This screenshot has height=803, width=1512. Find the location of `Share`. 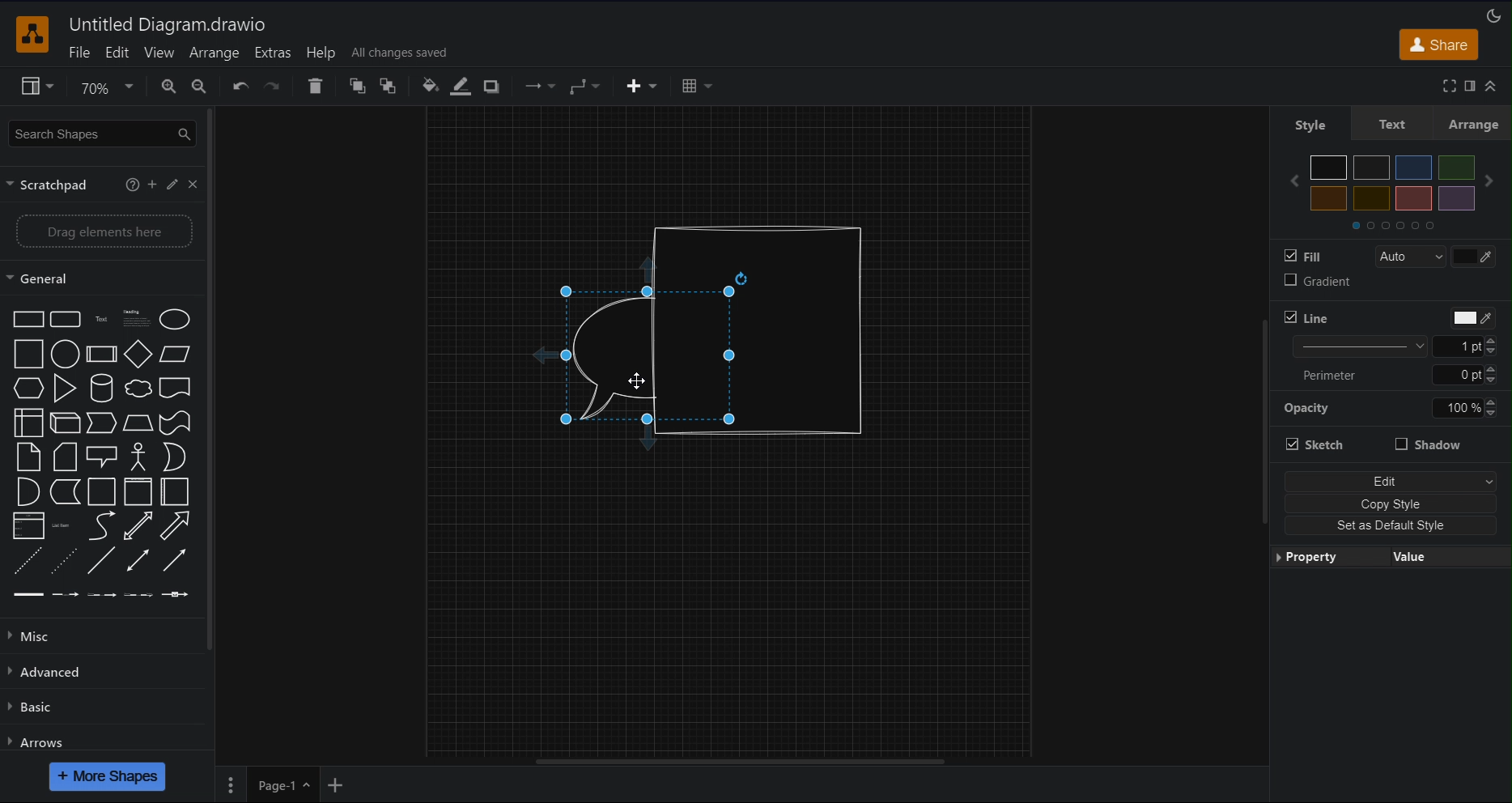

Share is located at coordinates (1438, 45).